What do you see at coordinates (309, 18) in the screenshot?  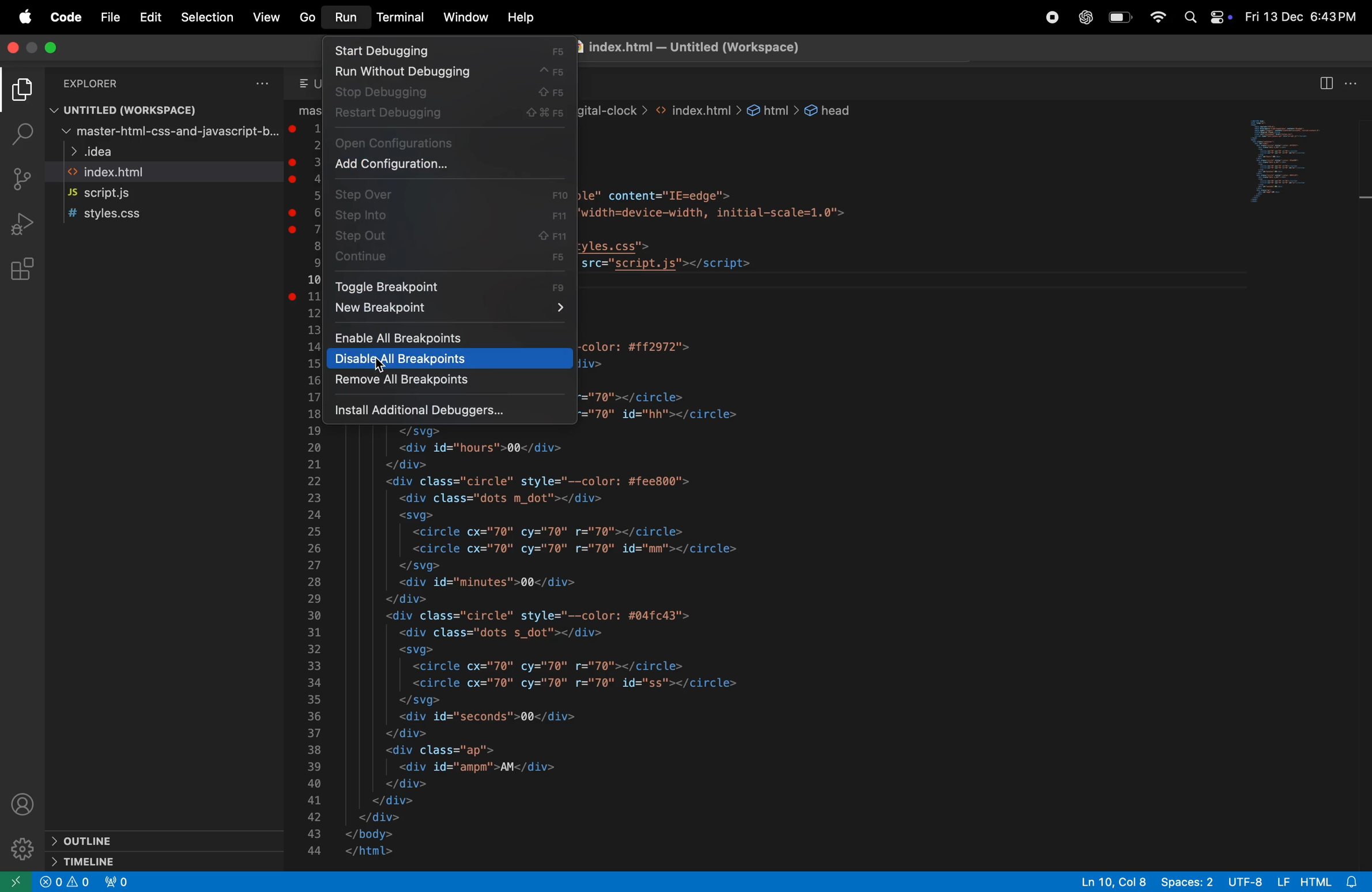 I see `Go` at bounding box center [309, 18].